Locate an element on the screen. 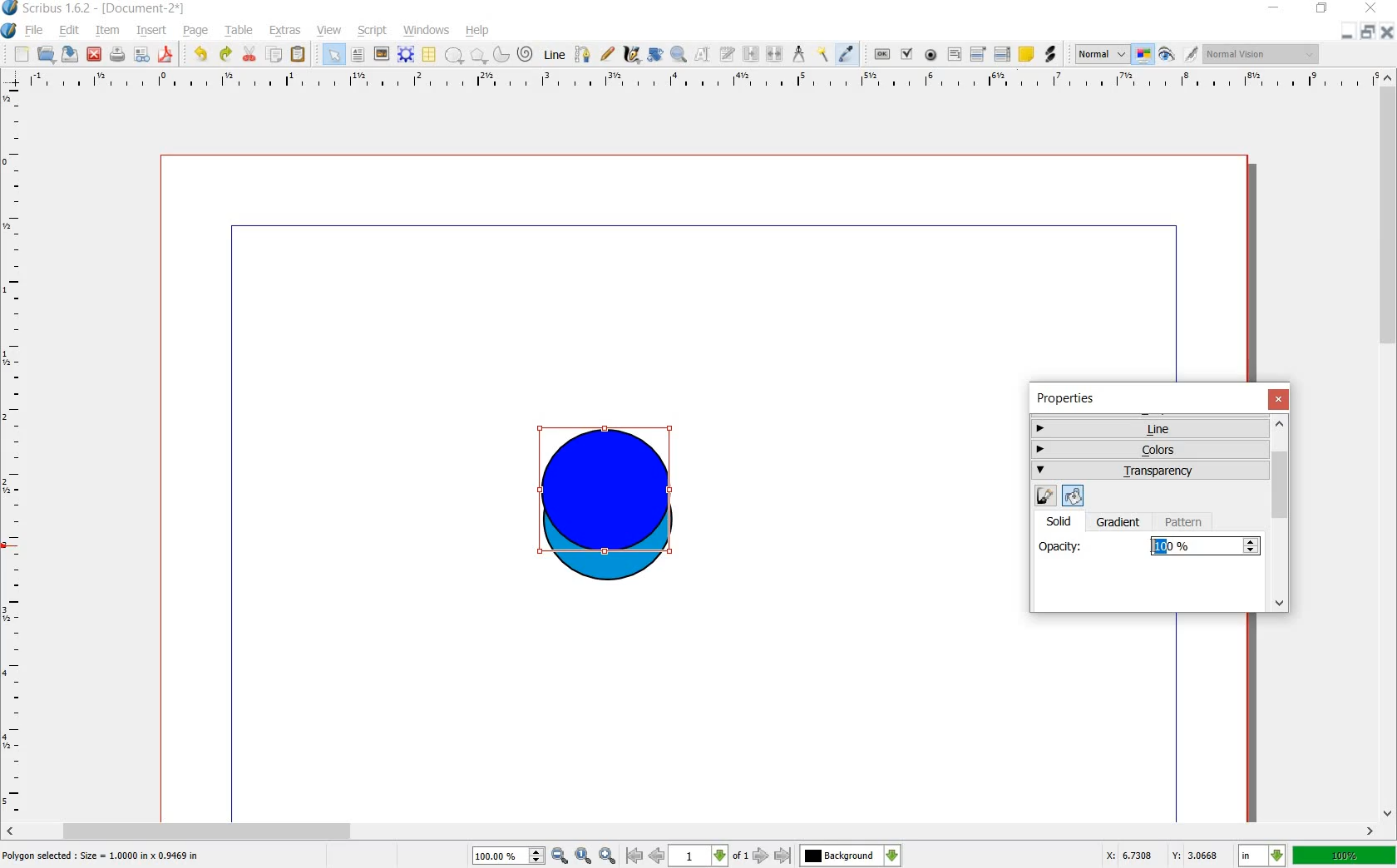  1 is located at coordinates (698, 856).